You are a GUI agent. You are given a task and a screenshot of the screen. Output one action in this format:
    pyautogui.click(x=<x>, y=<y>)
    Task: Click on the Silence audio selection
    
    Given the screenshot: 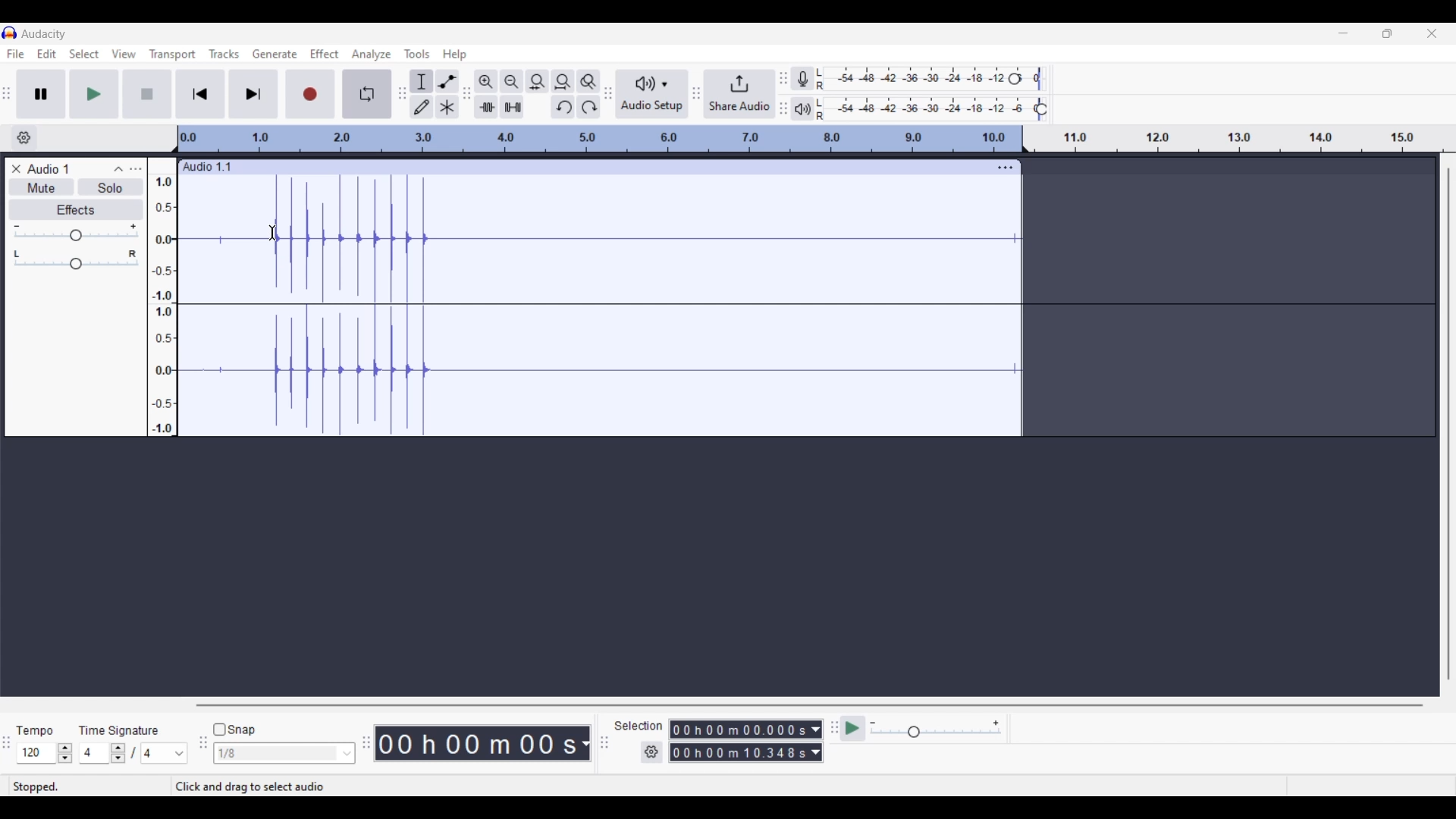 What is the action you would take?
    pyautogui.click(x=512, y=107)
    